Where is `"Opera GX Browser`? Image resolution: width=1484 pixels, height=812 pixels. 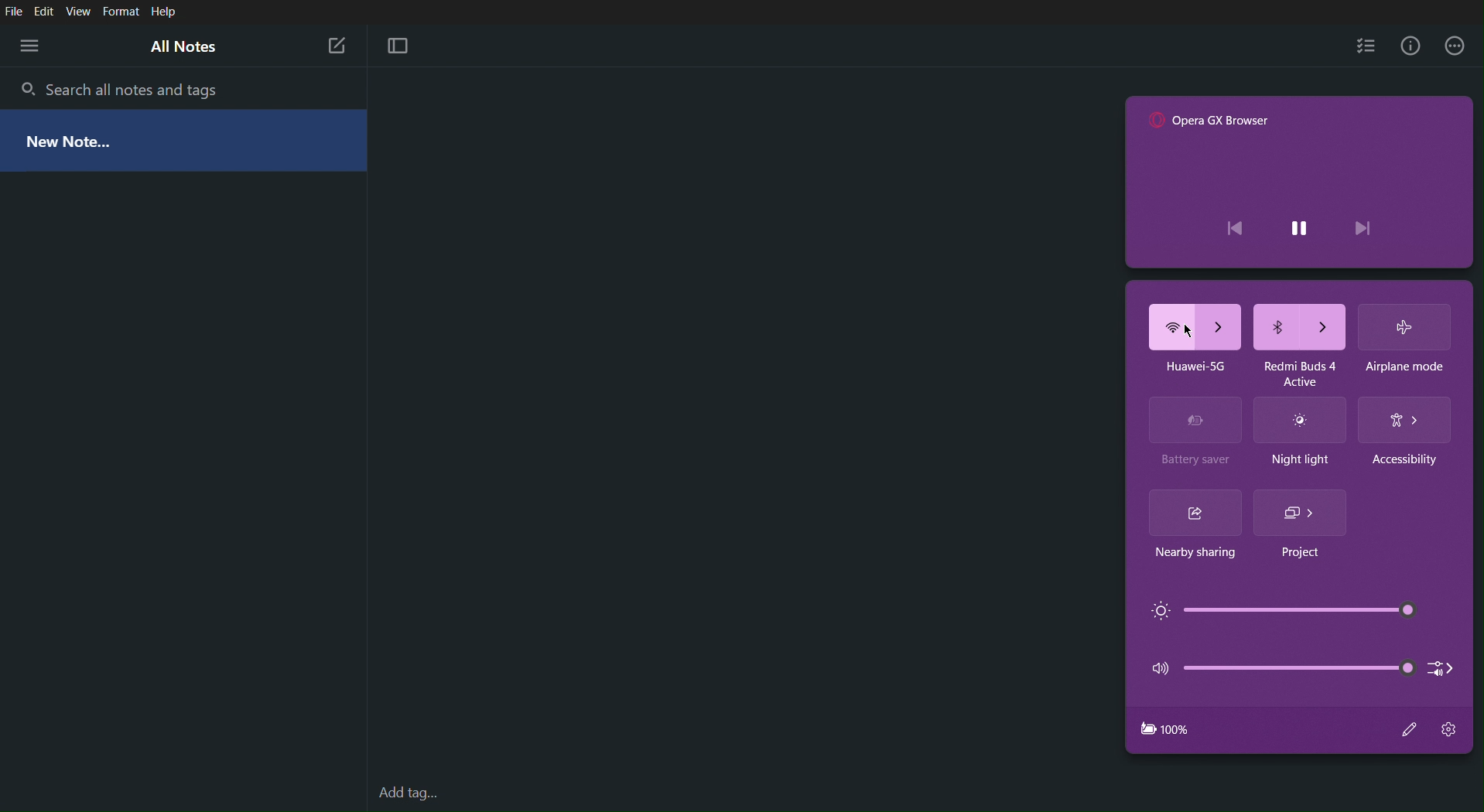 "Opera GX Browser is located at coordinates (1212, 121).